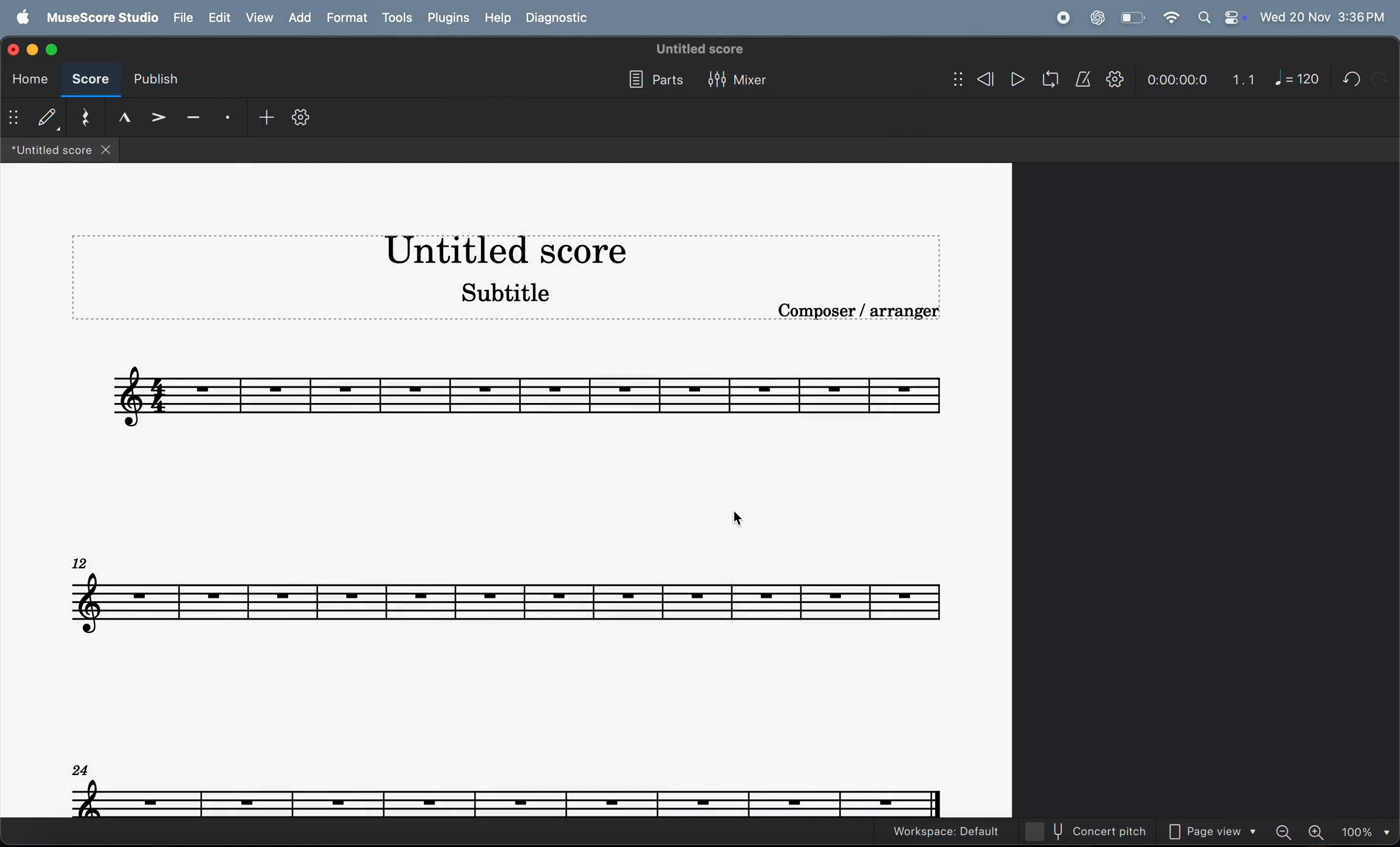 Image resolution: width=1400 pixels, height=847 pixels. I want to click on 1.1, so click(1244, 80).